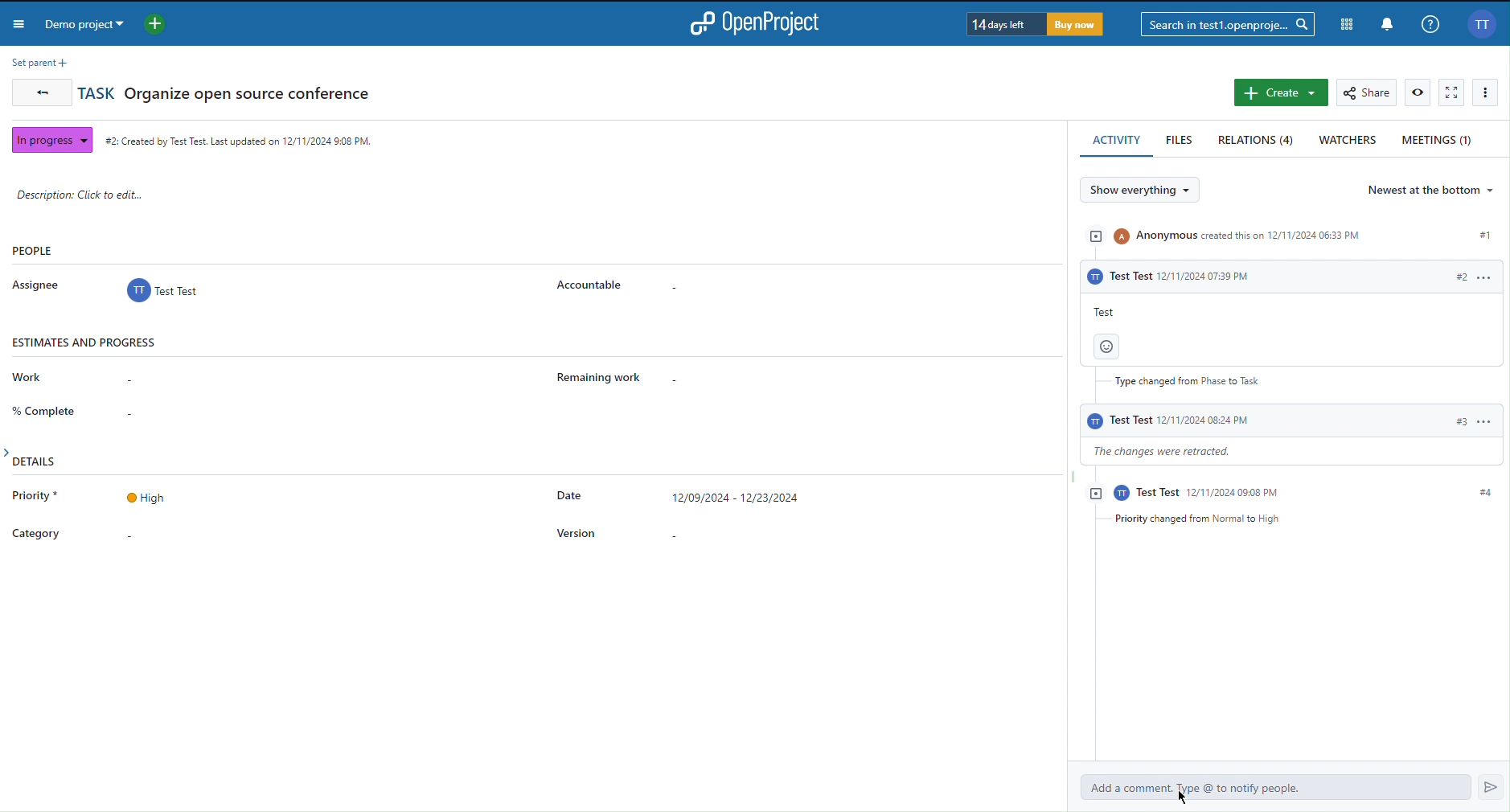 The image size is (1510, 812). I want to click on Modules, so click(1344, 22).